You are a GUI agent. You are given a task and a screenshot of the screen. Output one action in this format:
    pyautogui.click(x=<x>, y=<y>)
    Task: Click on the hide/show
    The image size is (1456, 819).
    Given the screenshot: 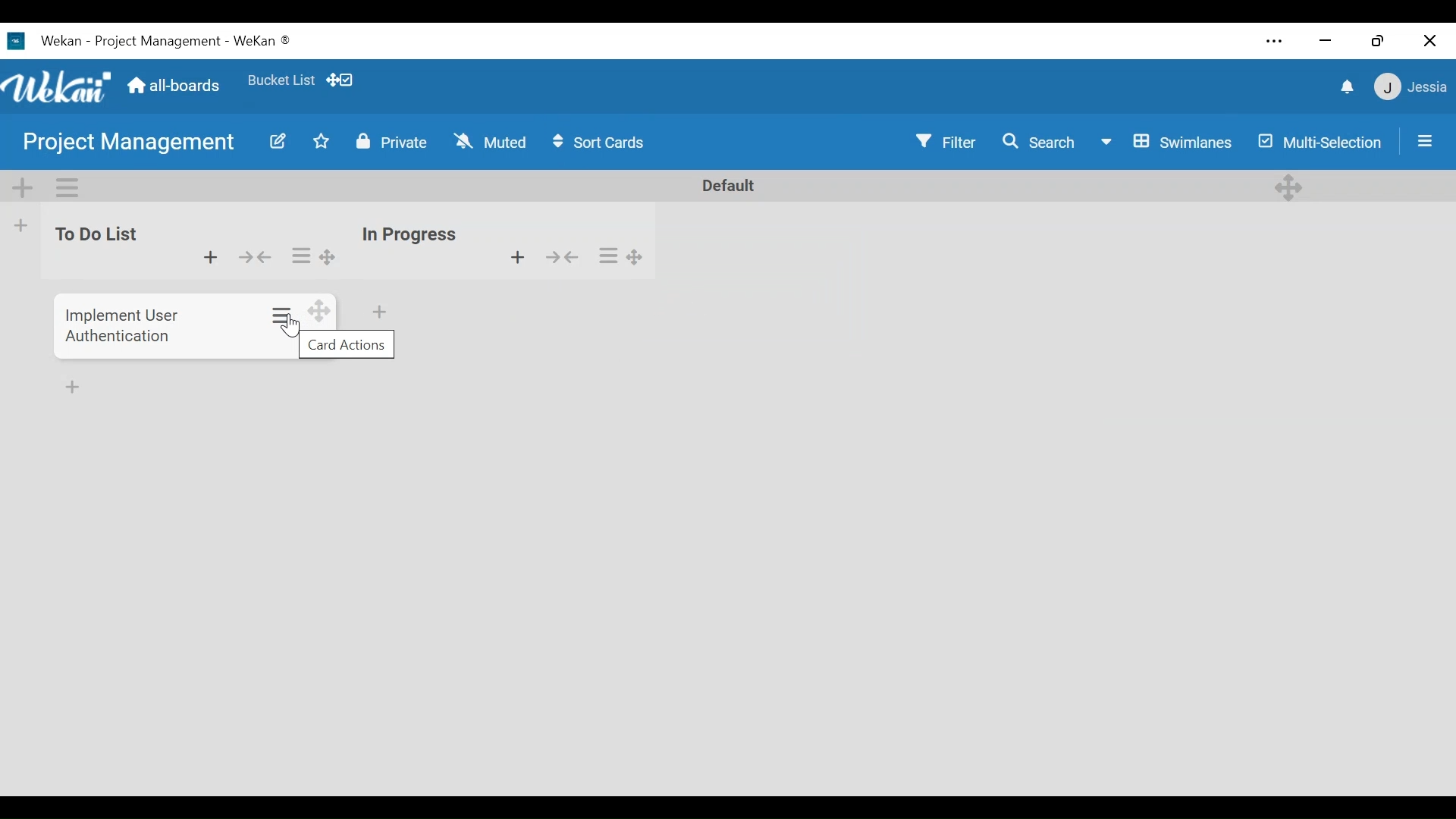 What is the action you would take?
    pyautogui.click(x=253, y=256)
    